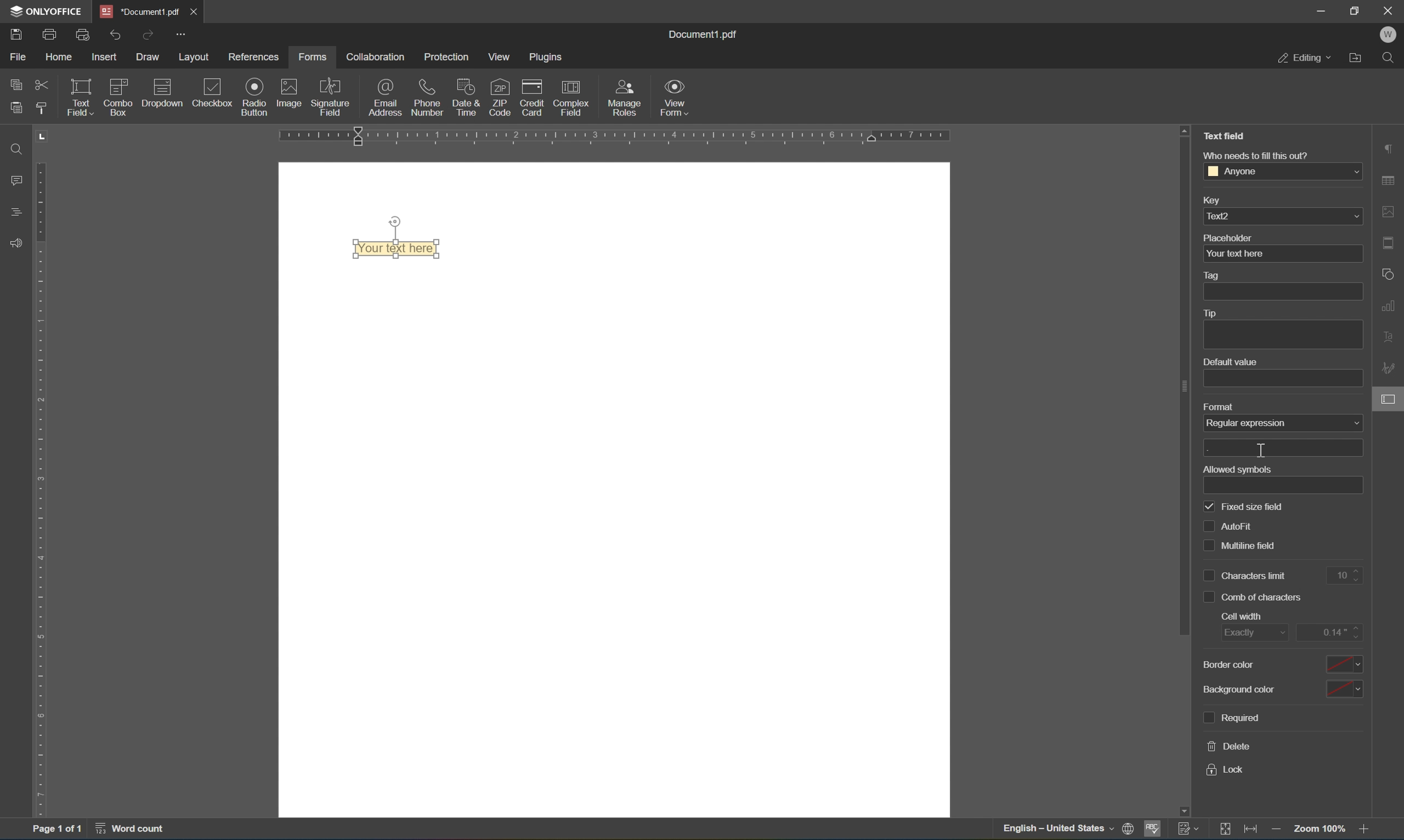  I want to click on image settings, so click(1388, 209).